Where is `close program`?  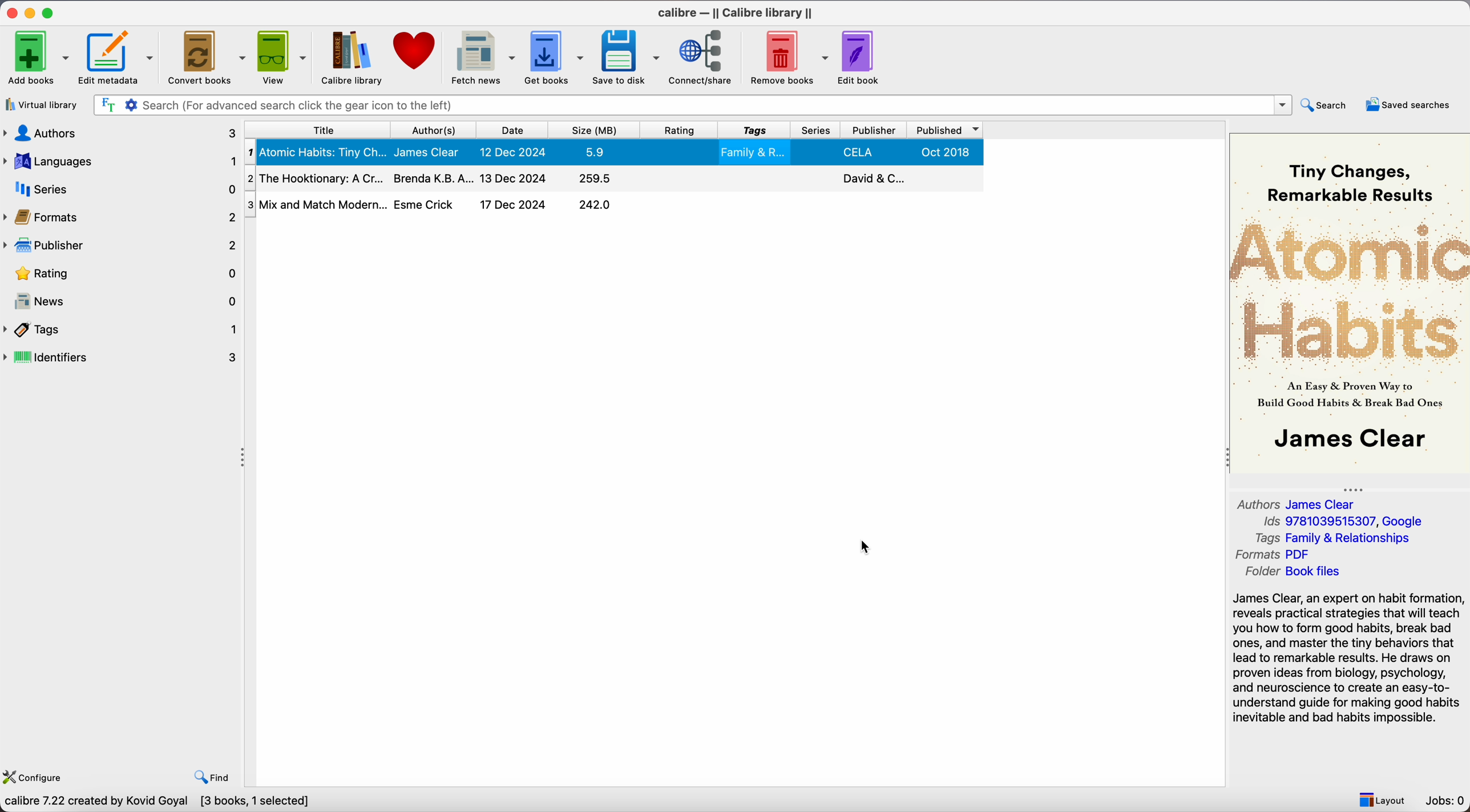 close program is located at coordinates (12, 12).